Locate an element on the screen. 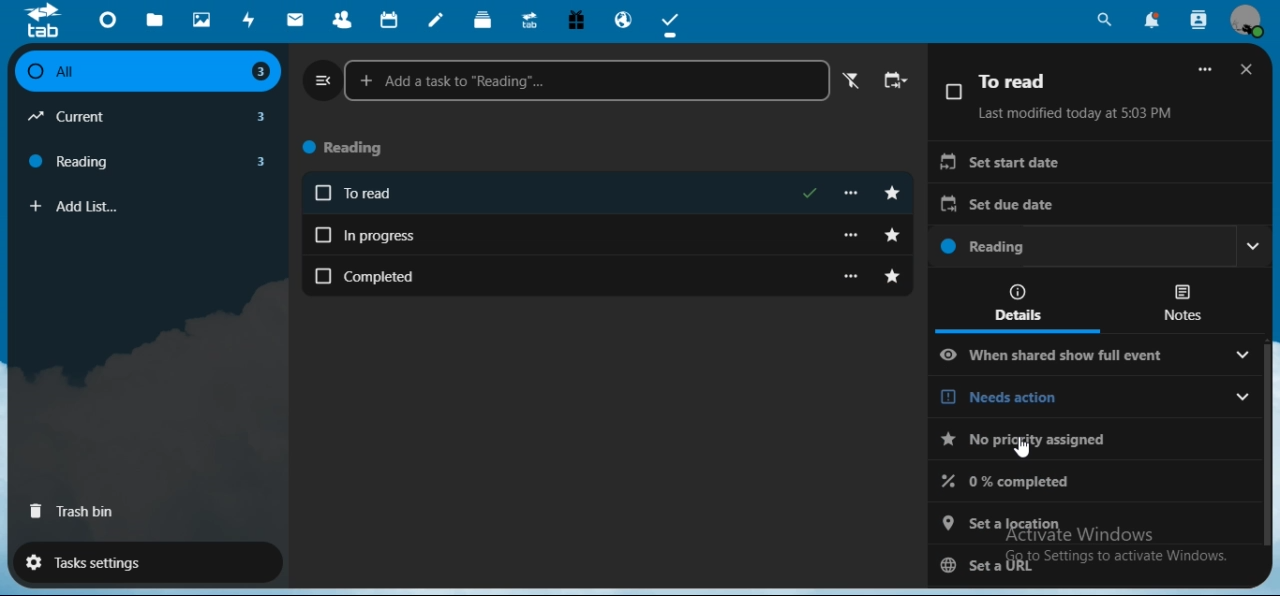 The height and width of the screenshot is (596, 1280). Cursor is located at coordinates (1023, 447).